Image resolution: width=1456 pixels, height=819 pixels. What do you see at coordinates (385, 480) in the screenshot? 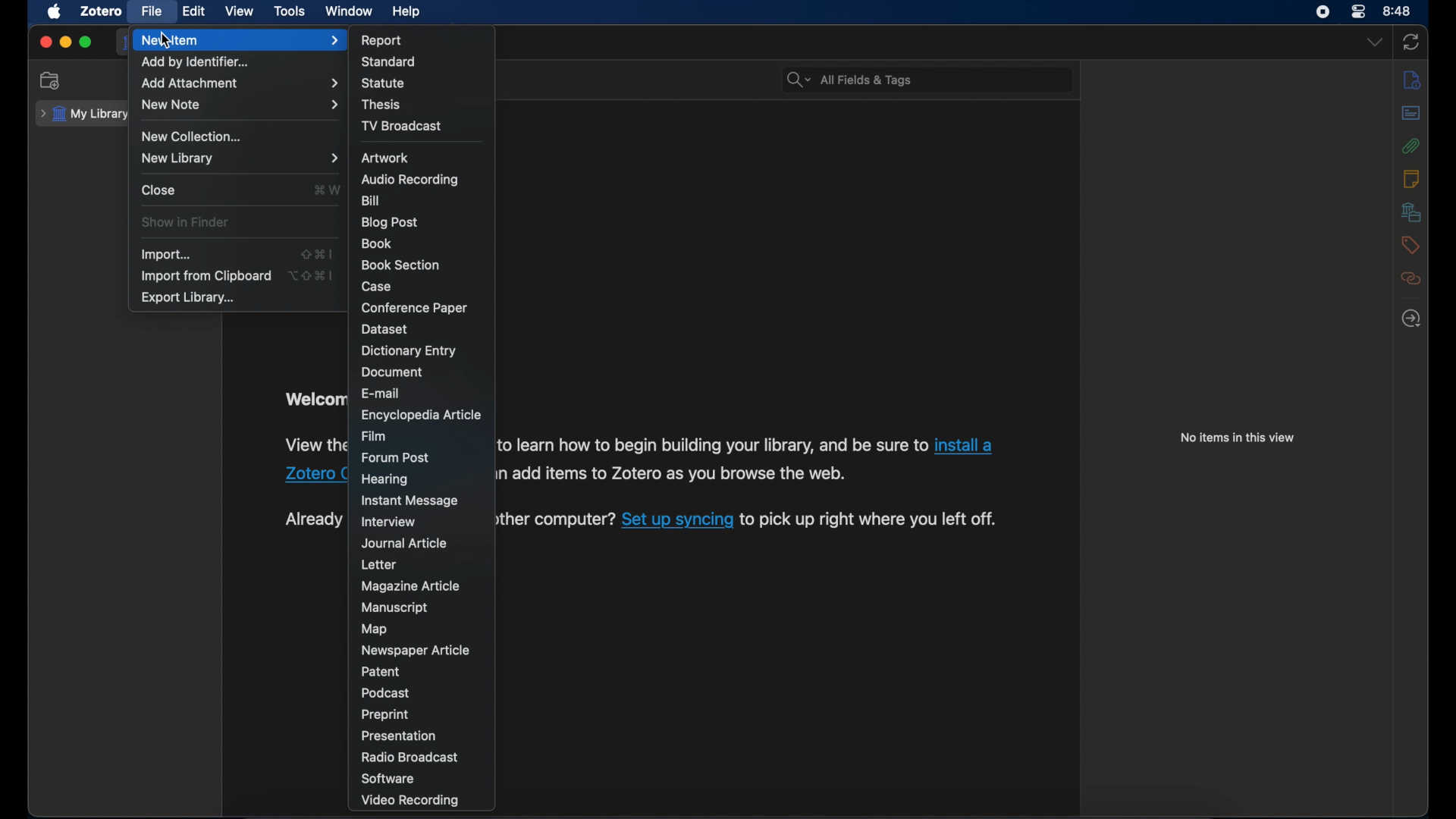
I see `hearing` at bounding box center [385, 480].